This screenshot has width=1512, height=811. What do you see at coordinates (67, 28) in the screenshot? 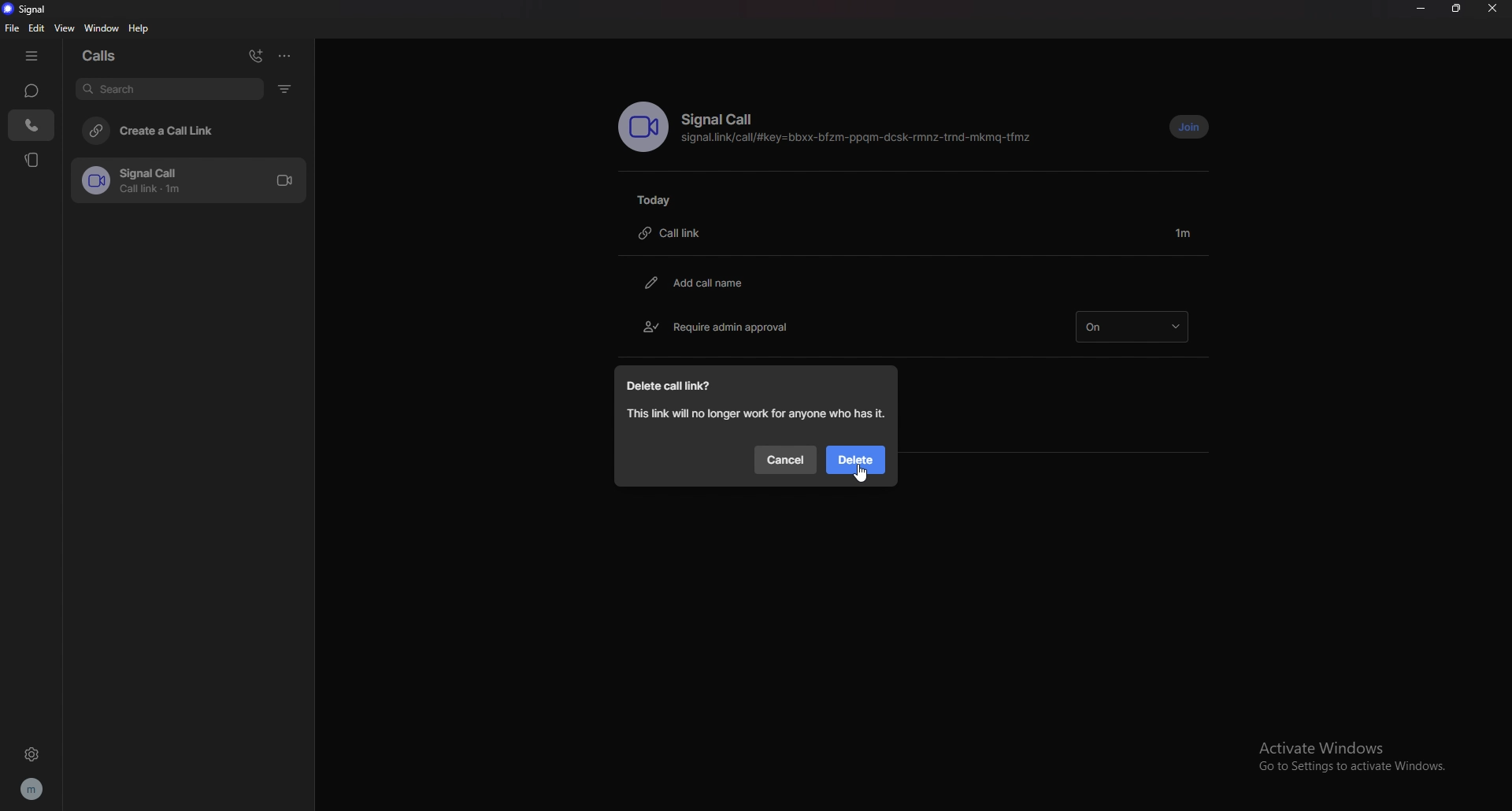
I see `view` at bounding box center [67, 28].